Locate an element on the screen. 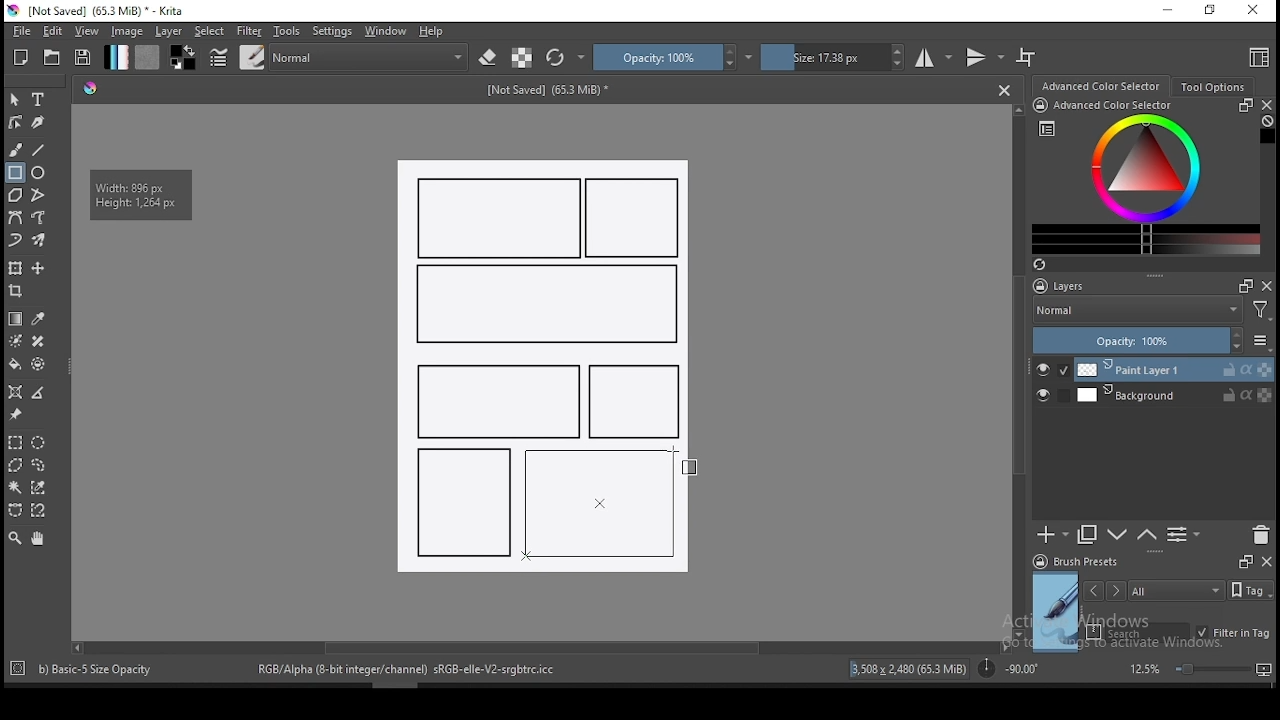  scroll bar is located at coordinates (1020, 370).